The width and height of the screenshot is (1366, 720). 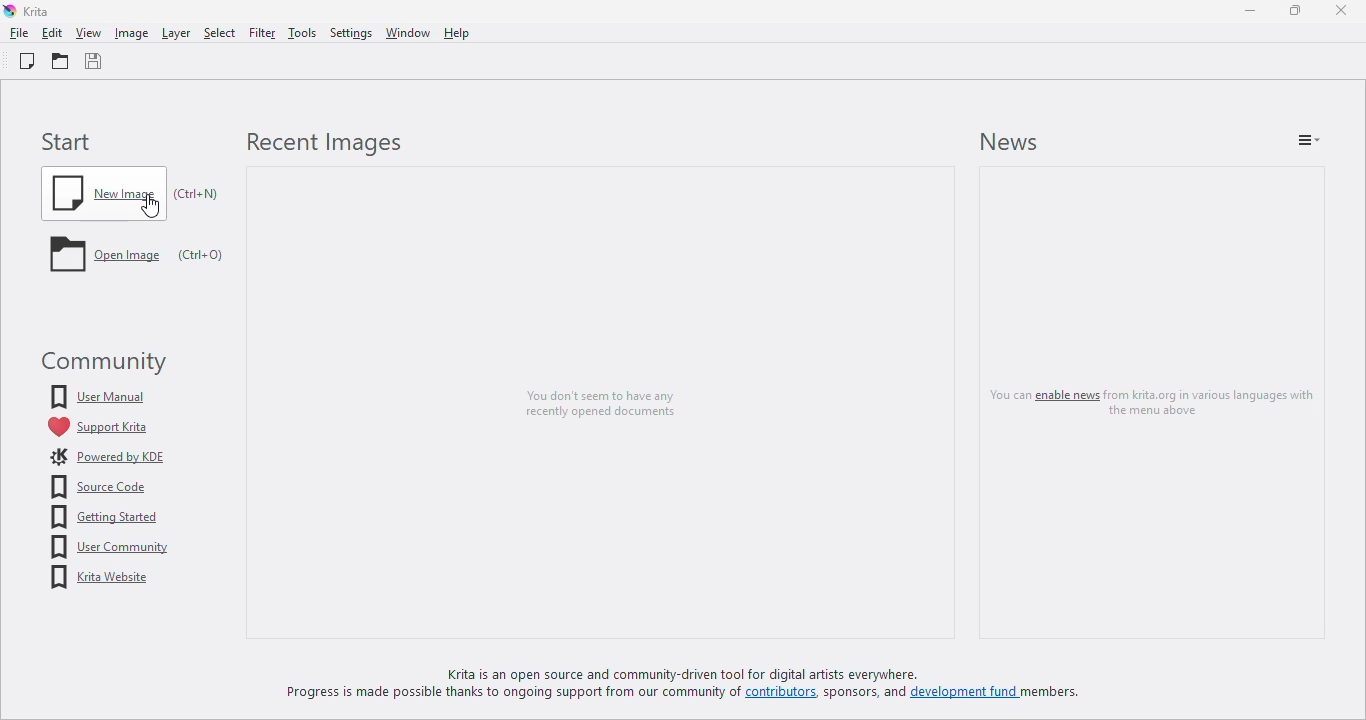 What do you see at coordinates (350, 33) in the screenshot?
I see `settings` at bounding box center [350, 33].